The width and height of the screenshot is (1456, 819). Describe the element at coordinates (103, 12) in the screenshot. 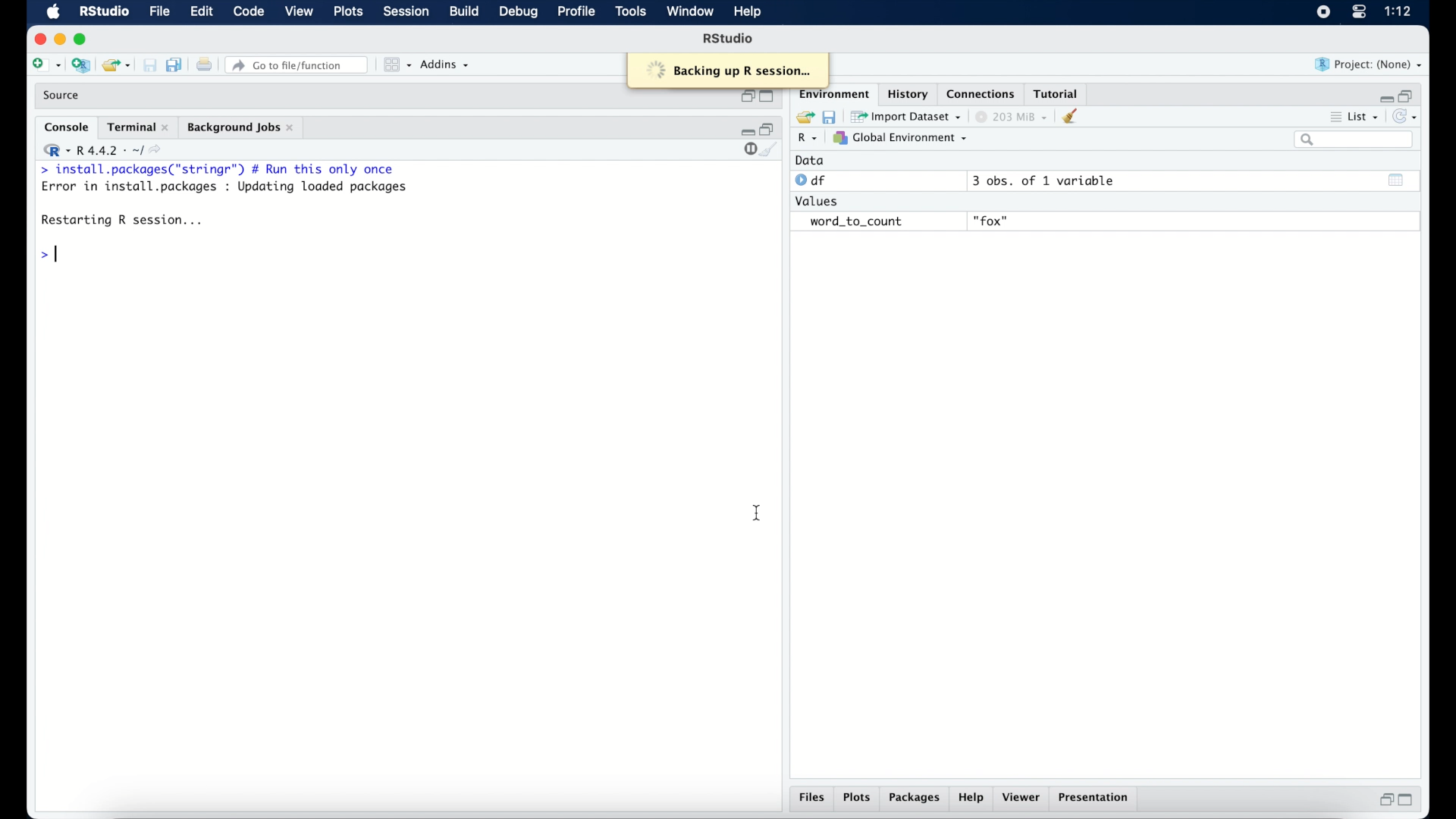

I see `R Studio` at that location.